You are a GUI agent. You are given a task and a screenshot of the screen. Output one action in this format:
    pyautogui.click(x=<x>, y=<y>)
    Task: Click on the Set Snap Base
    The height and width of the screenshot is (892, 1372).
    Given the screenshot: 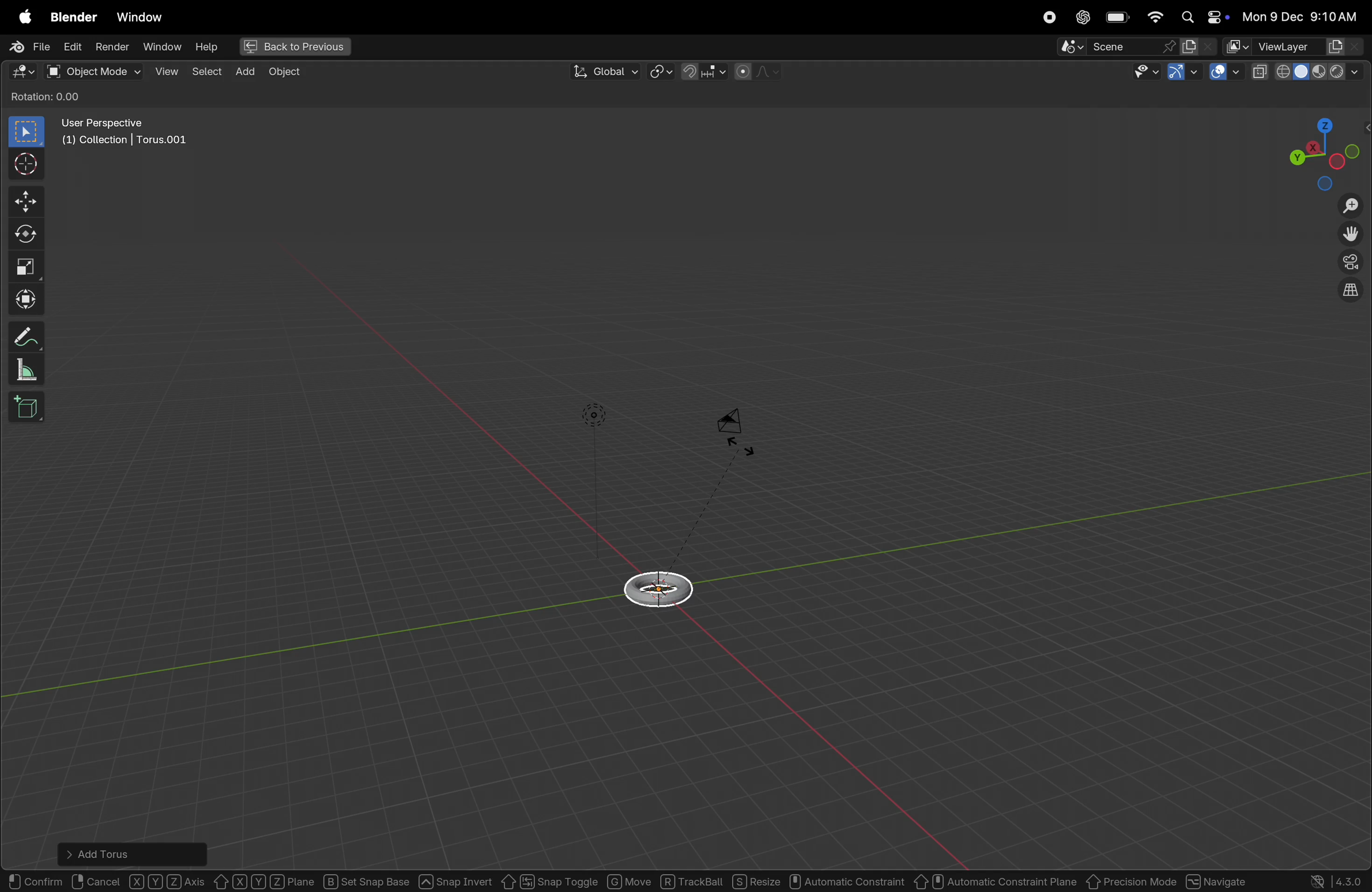 What is the action you would take?
    pyautogui.click(x=367, y=879)
    